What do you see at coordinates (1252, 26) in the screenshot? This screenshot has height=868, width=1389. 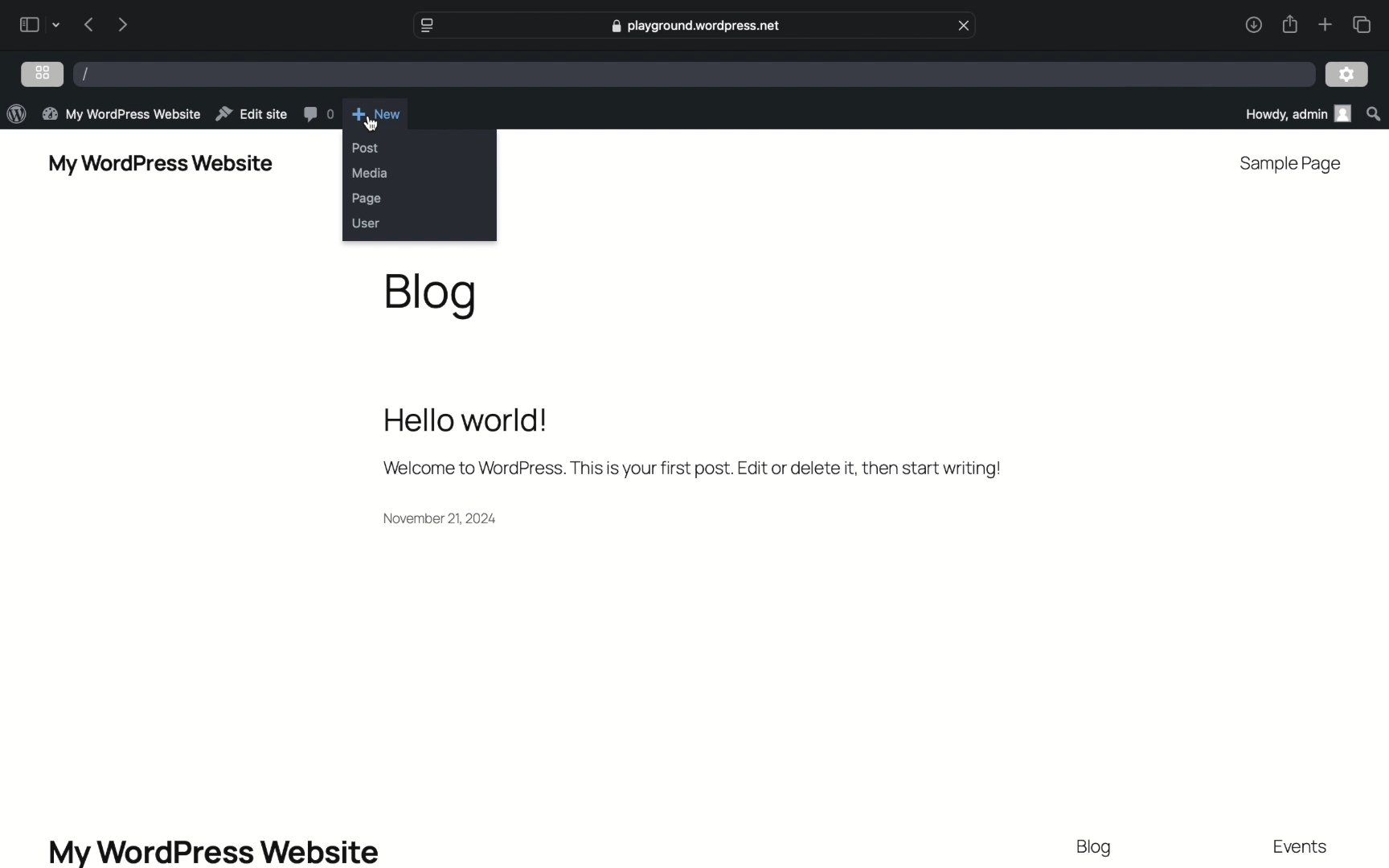 I see `share` at bounding box center [1252, 26].